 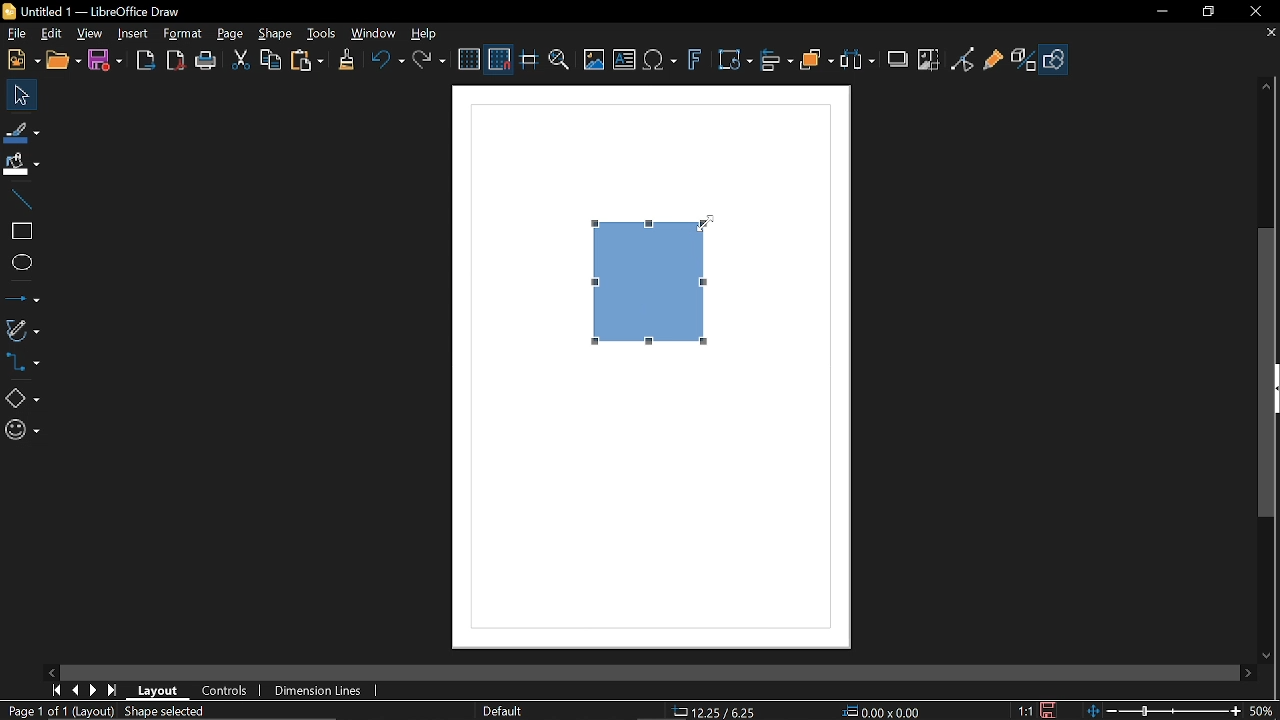 What do you see at coordinates (76, 690) in the screenshot?
I see `previous page` at bounding box center [76, 690].